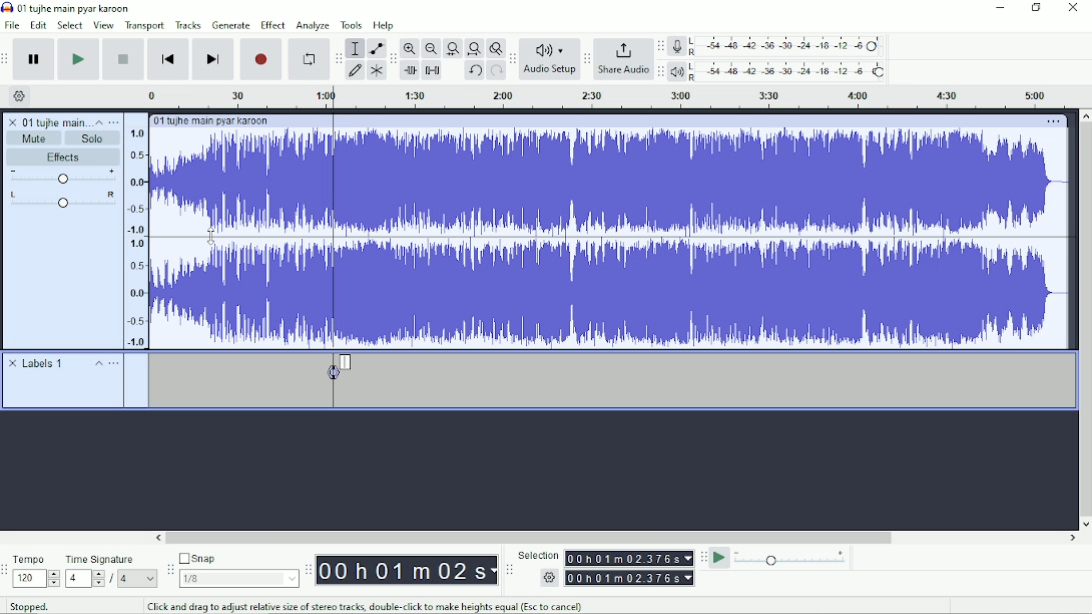 This screenshot has height=614, width=1092. What do you see at coordinates (115, 121) in the screenshot?
I see `Open menu` at bounding box center [115, 121].